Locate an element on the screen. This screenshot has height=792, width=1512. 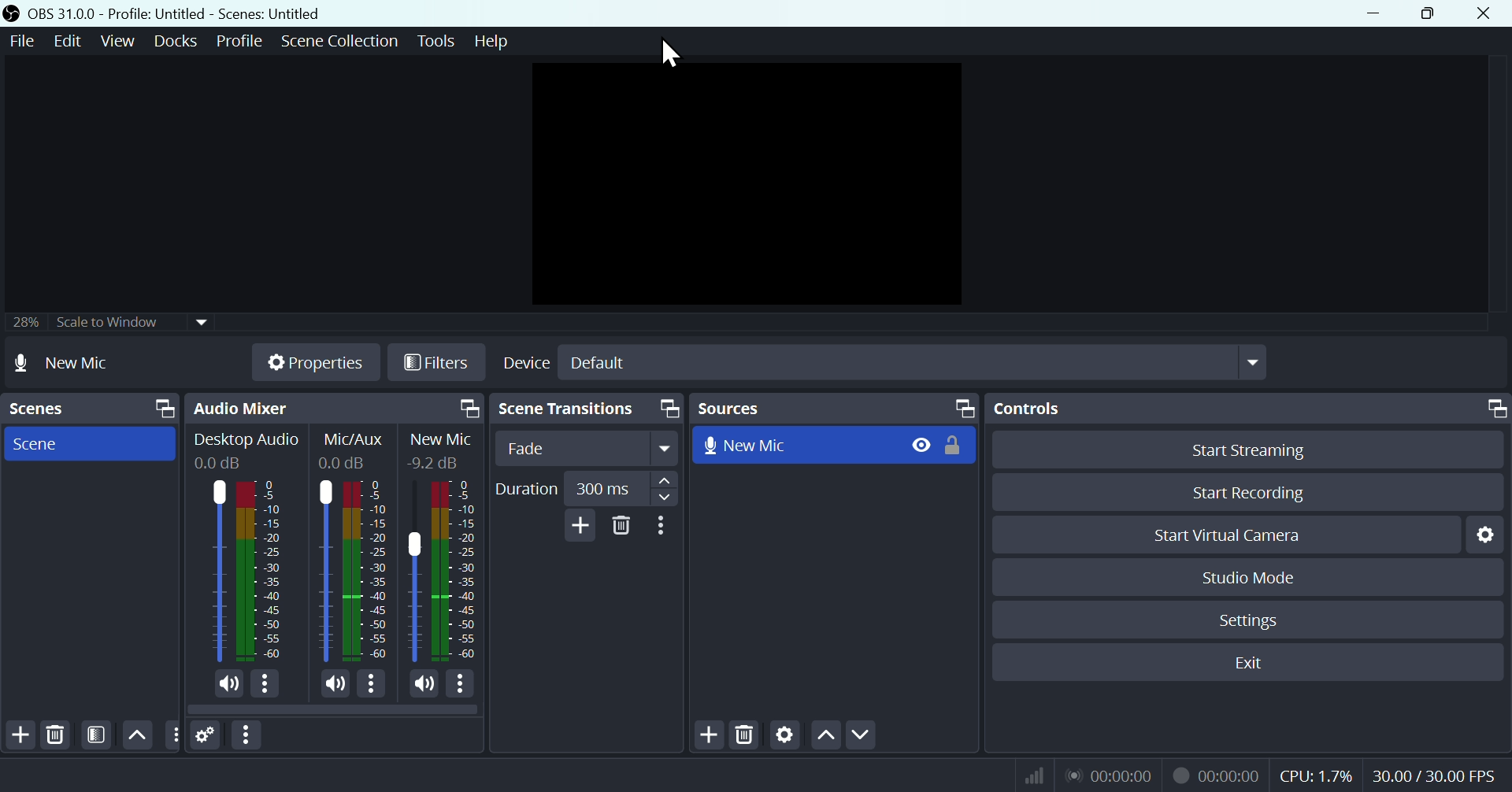
fade is located at coordinates (588, 449).